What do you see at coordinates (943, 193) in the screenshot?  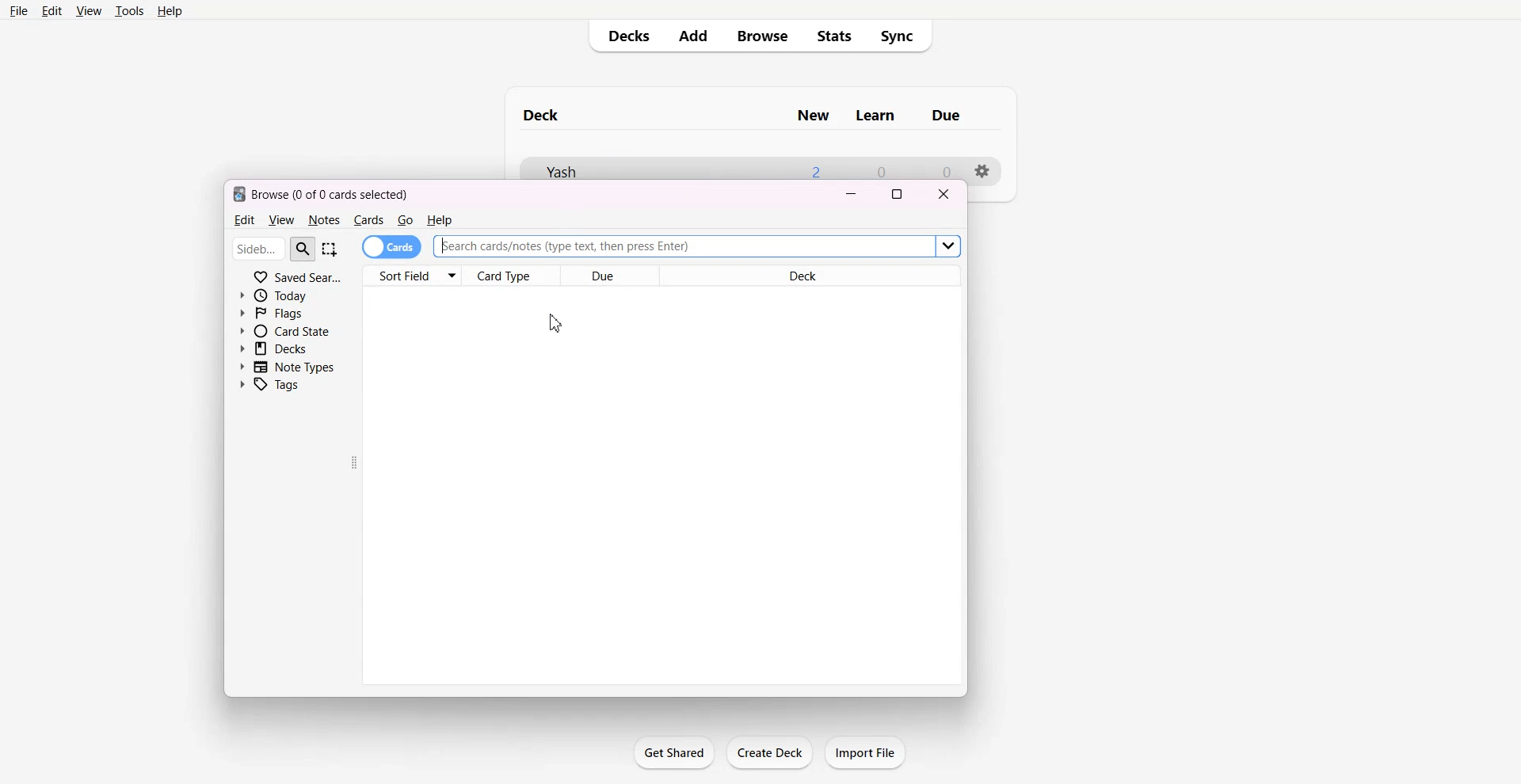 I see `Close` at bounding box center [943, 193].